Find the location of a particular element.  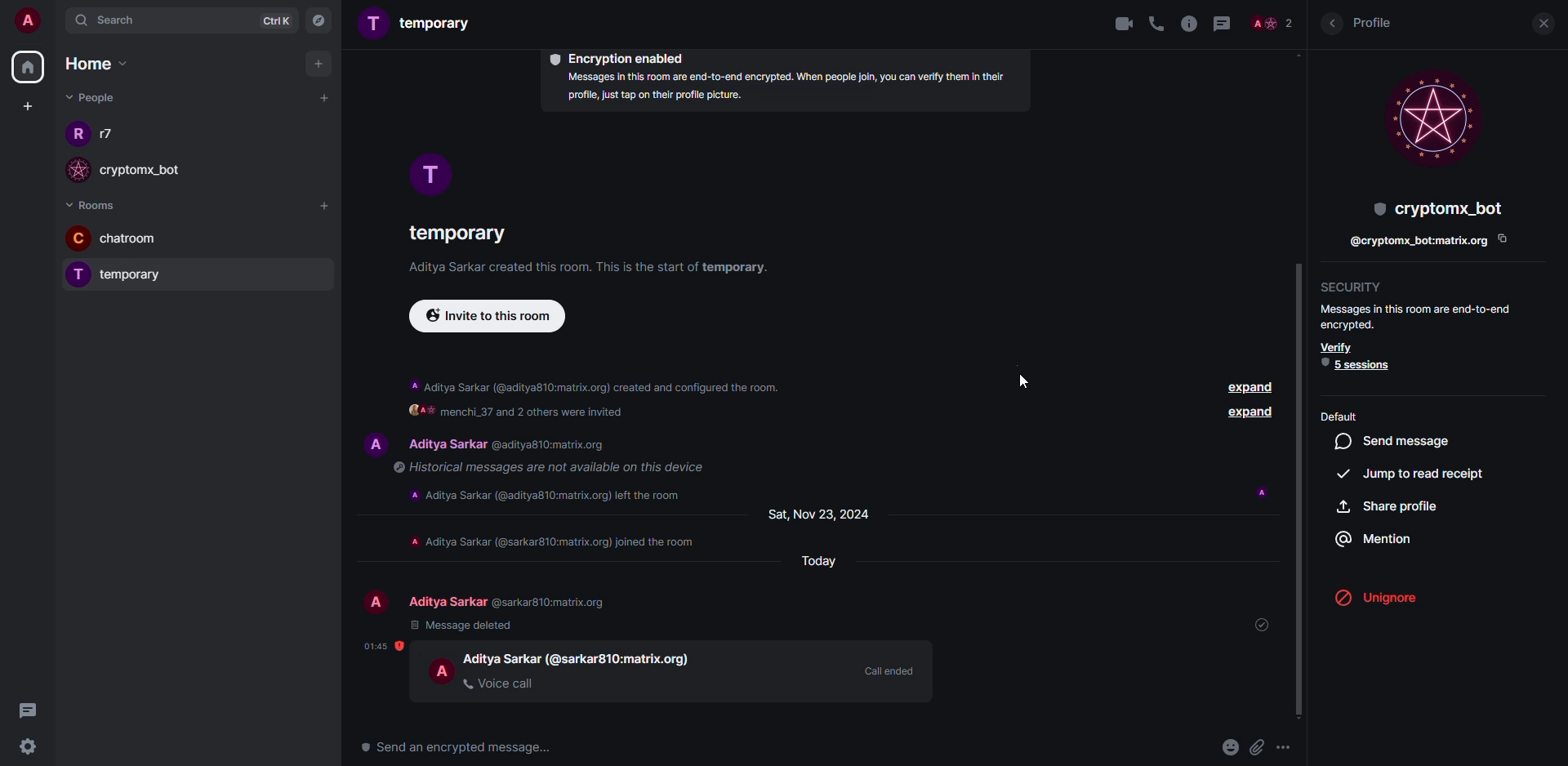

info is located at coordinates (782, 89).